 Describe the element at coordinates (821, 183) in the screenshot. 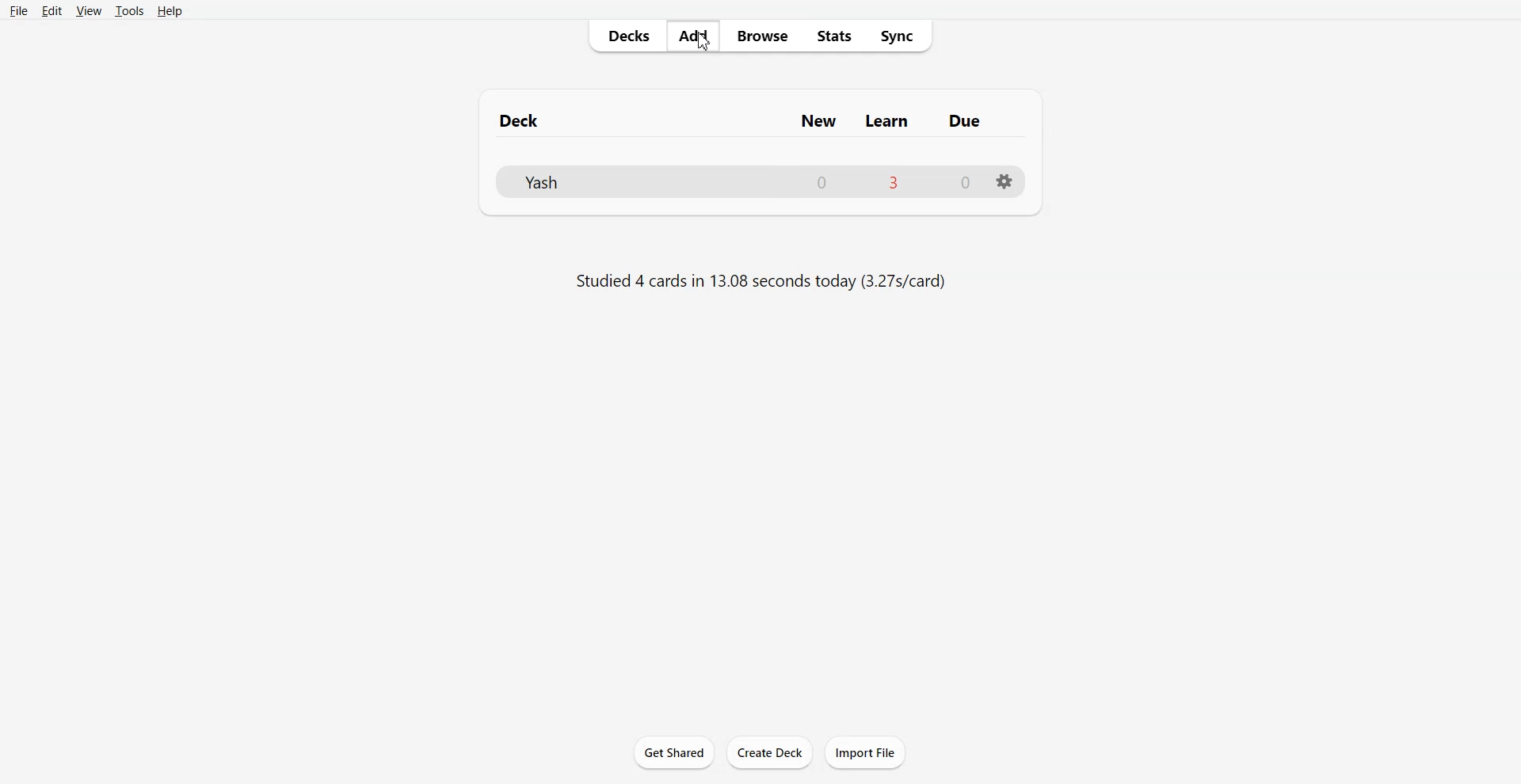

I see `0` at that location.